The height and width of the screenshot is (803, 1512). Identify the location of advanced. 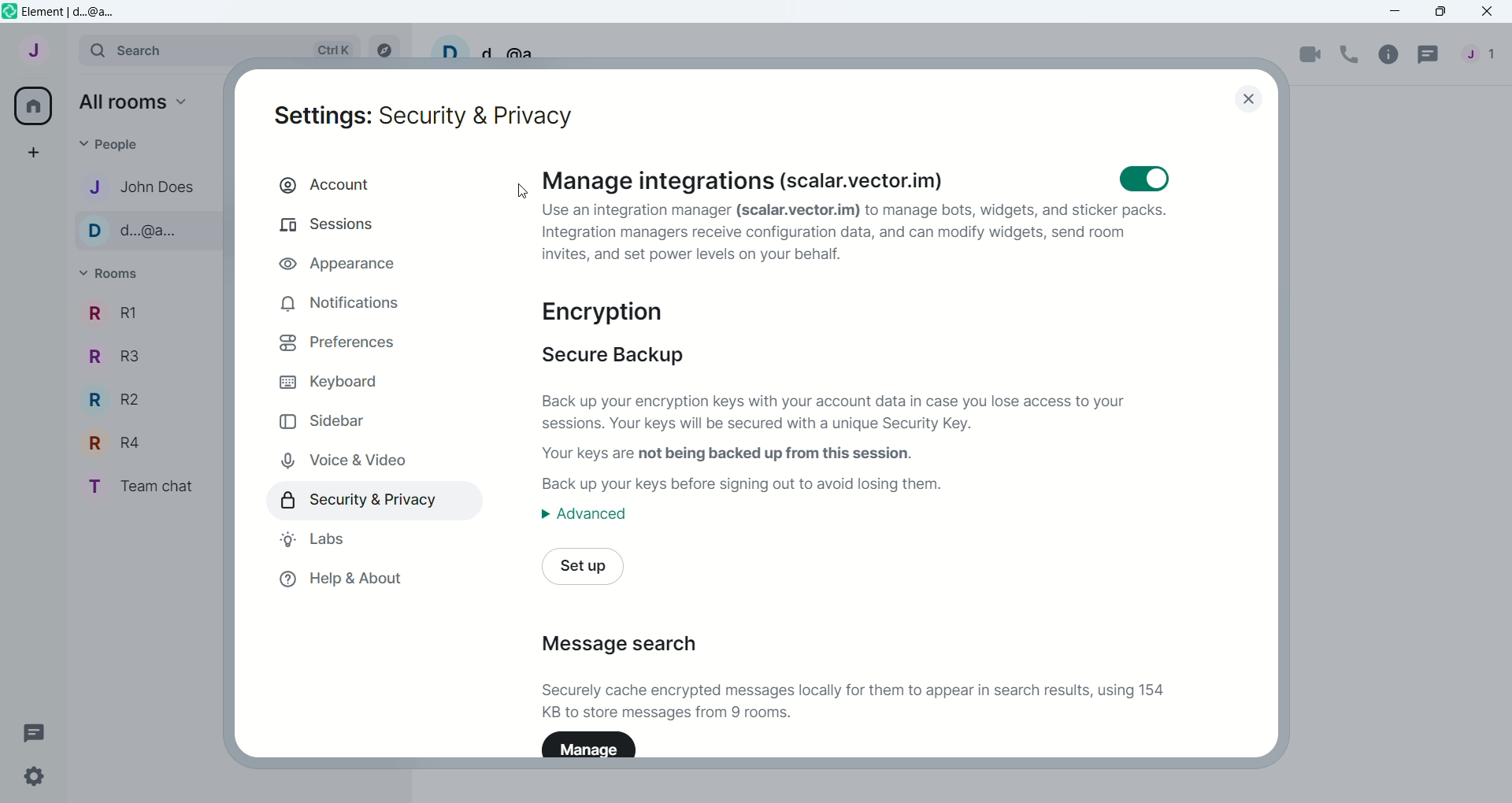
(590, 516).